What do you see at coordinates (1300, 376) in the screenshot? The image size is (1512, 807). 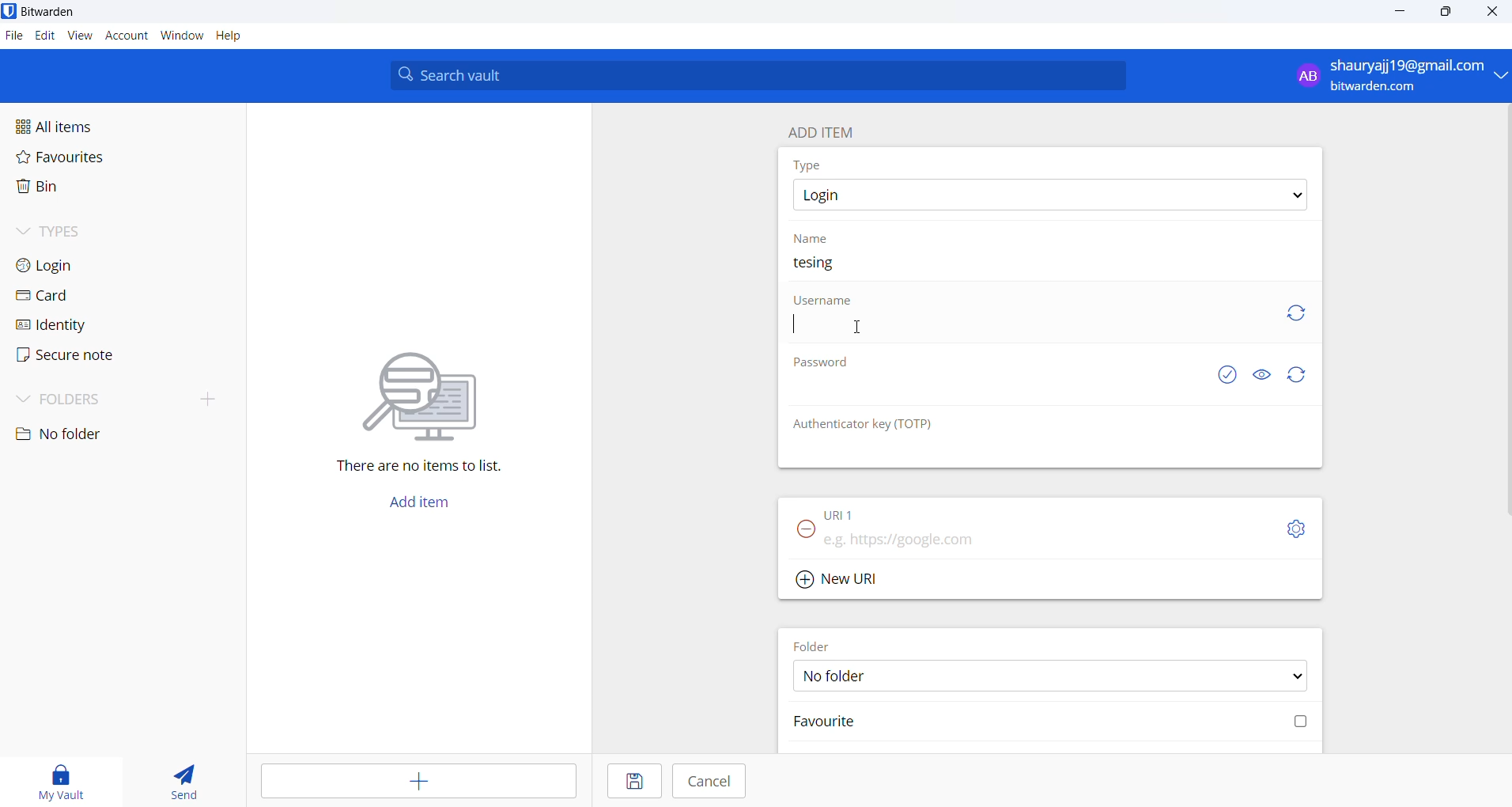 I see `generate password` at bounding box center [1300, 376].